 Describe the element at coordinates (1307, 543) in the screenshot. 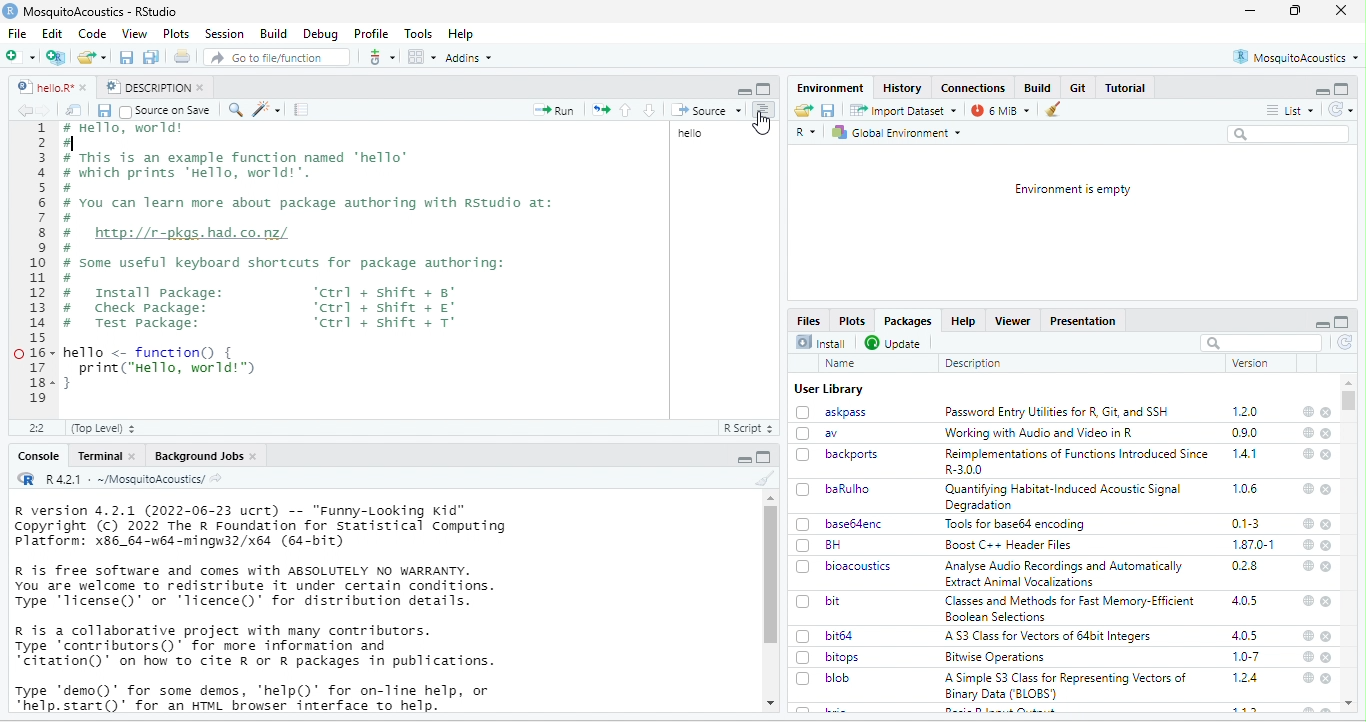

I see `help` at that location.